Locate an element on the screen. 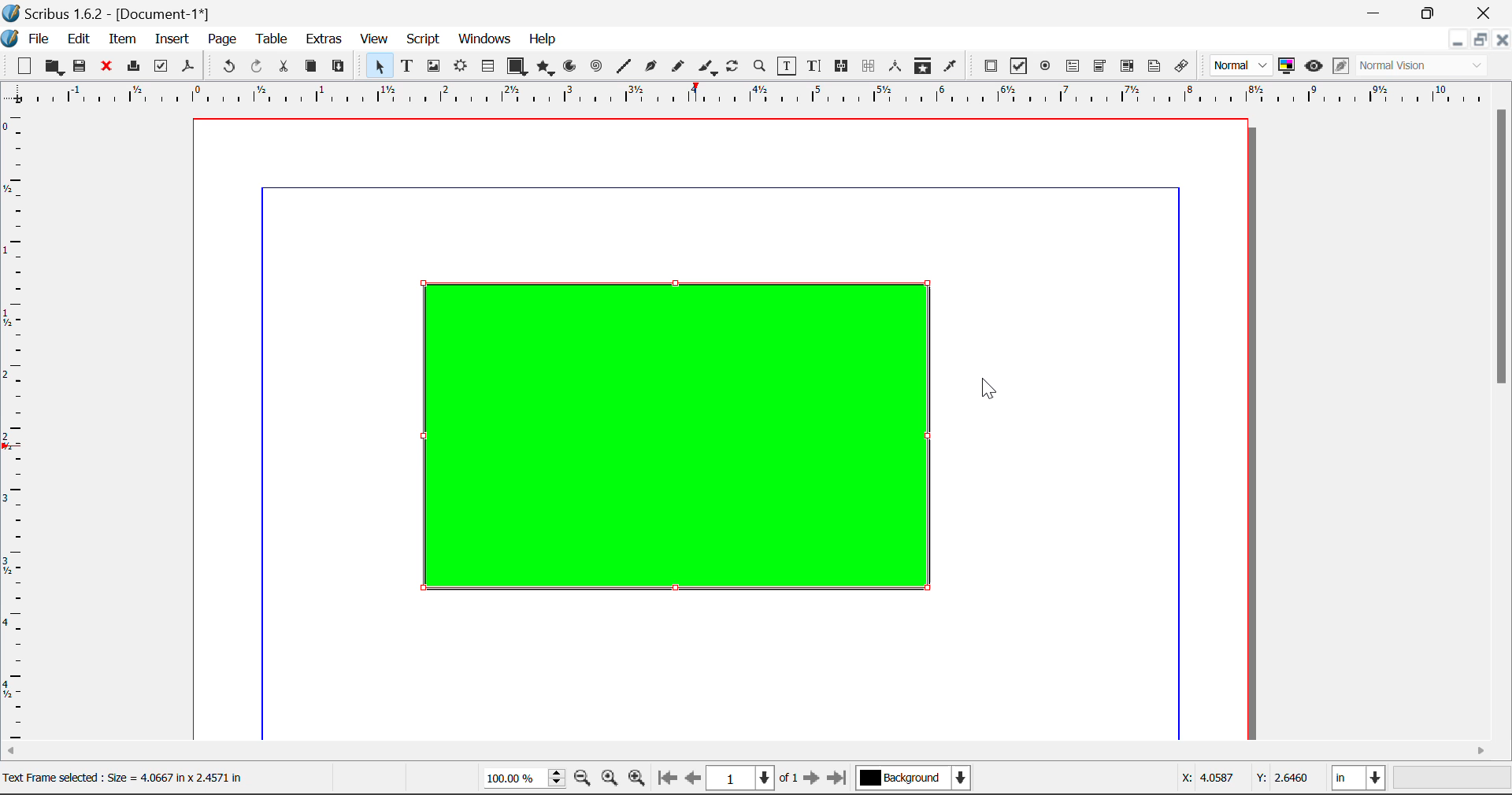  Previous Page is located at coordinates (695, 781).